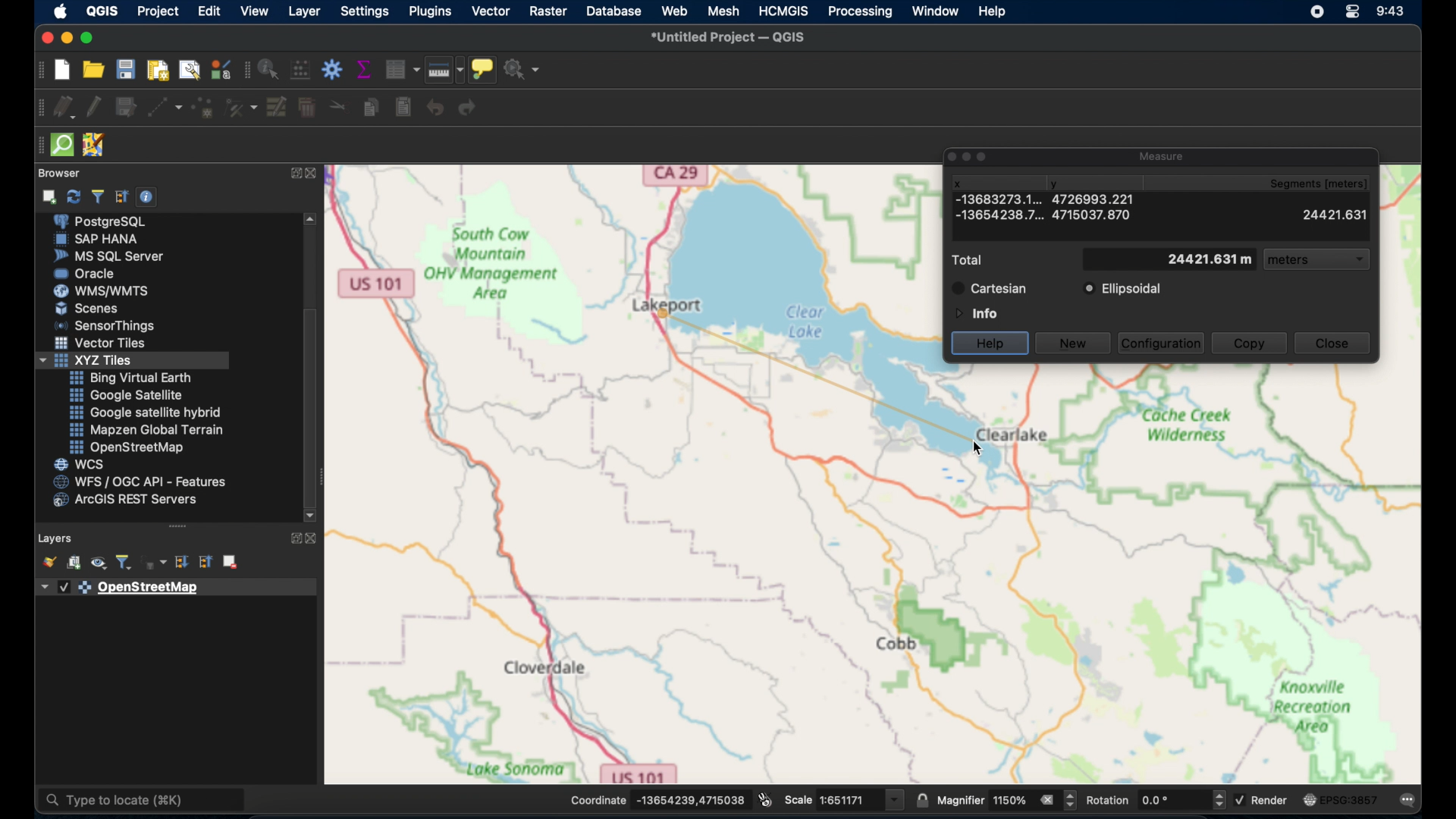 This screenshot has width=1456, height=819. I want to click on help, so click(991, 342).